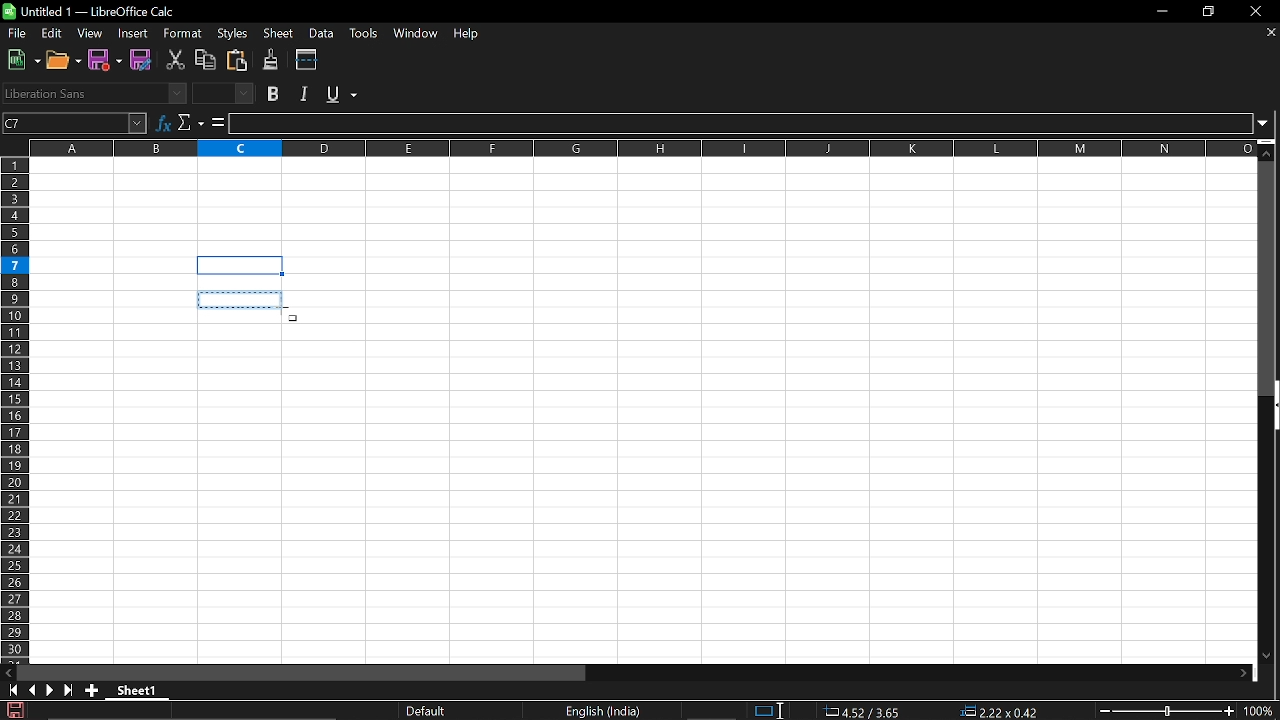  Describe the element at coordinates (281, 34) in the screenshot. I see `Sheet` at that location.